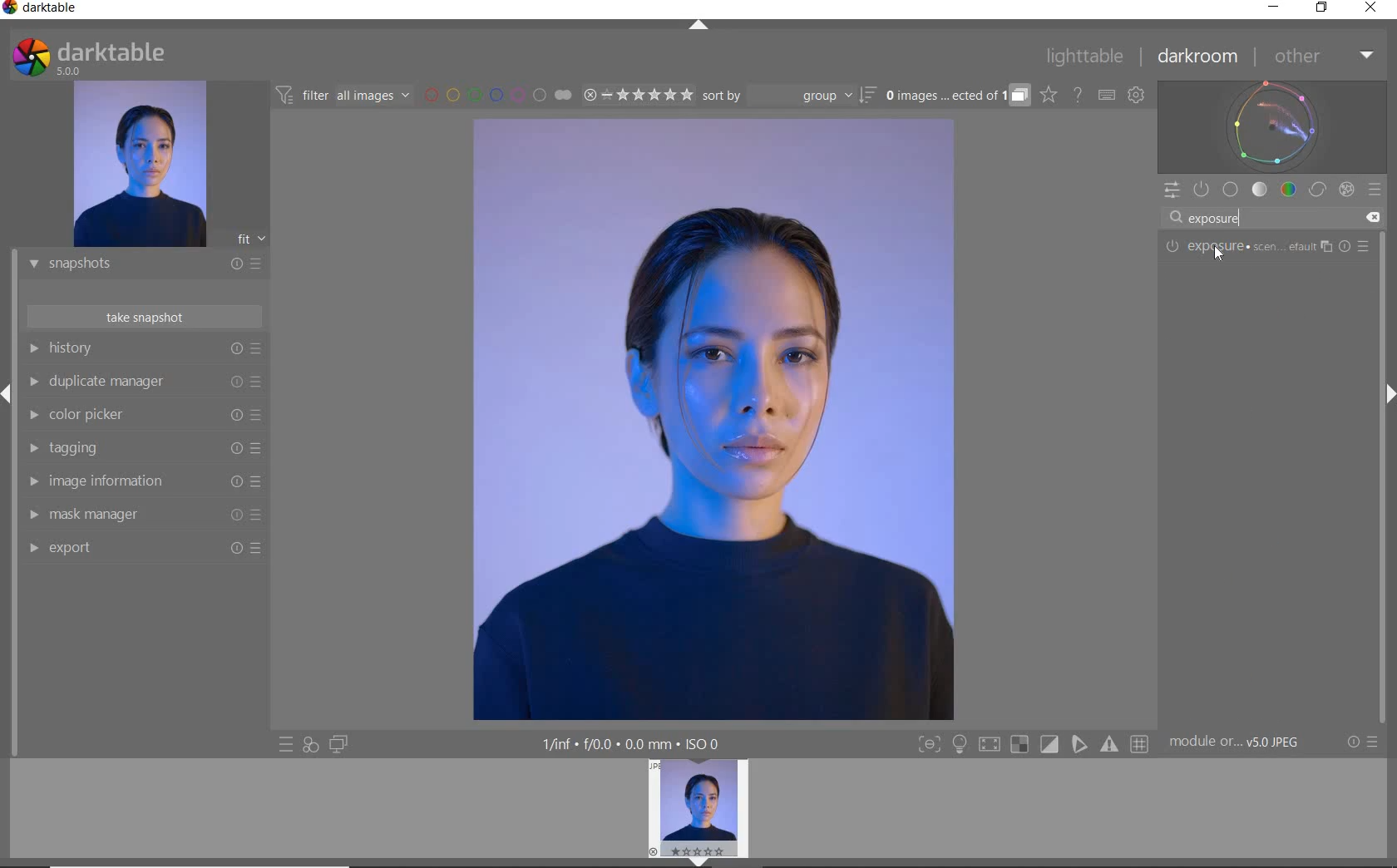 The width and height of the screenshot is (1397, 868). I want to click on RESET OR PRESETS & PREFERENCES, so click(1365, 742).